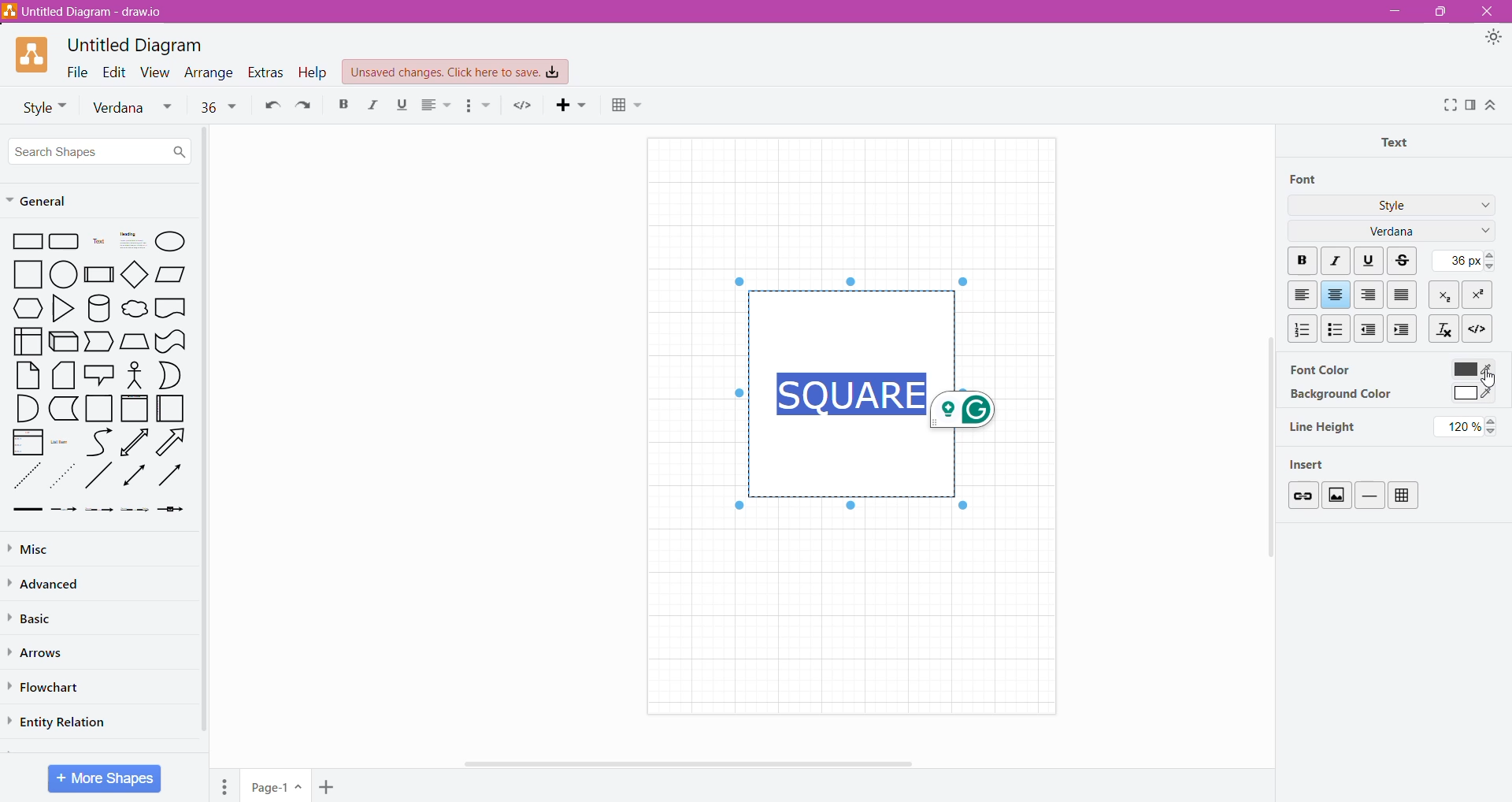 The image size is (1512, 802). Describe the element at coordinates (695, 763) in the screenshot. I see `Horizontal Scroll Bar` at that location.